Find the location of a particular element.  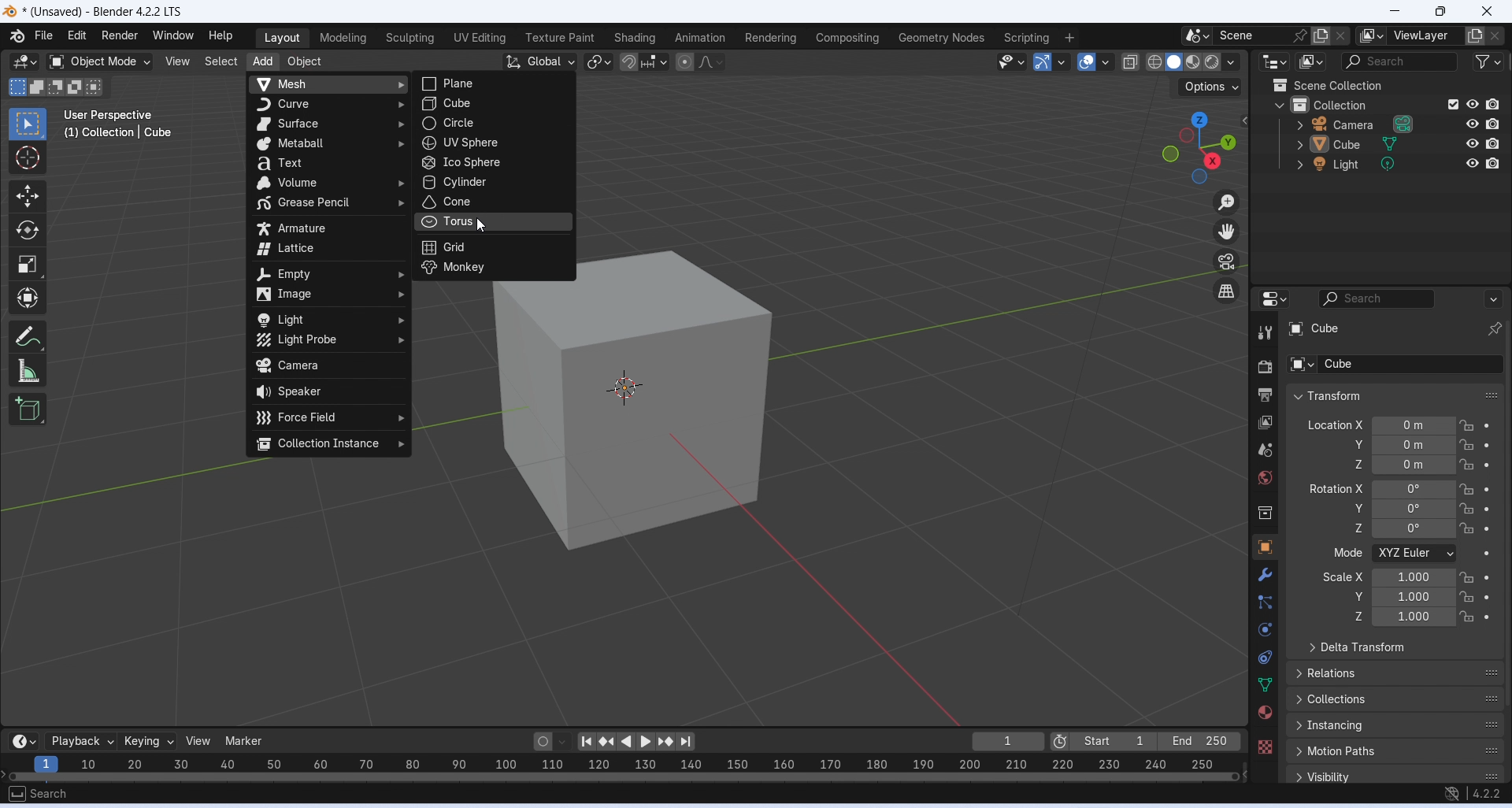

Y scale is located at coordinates (1432, 597).